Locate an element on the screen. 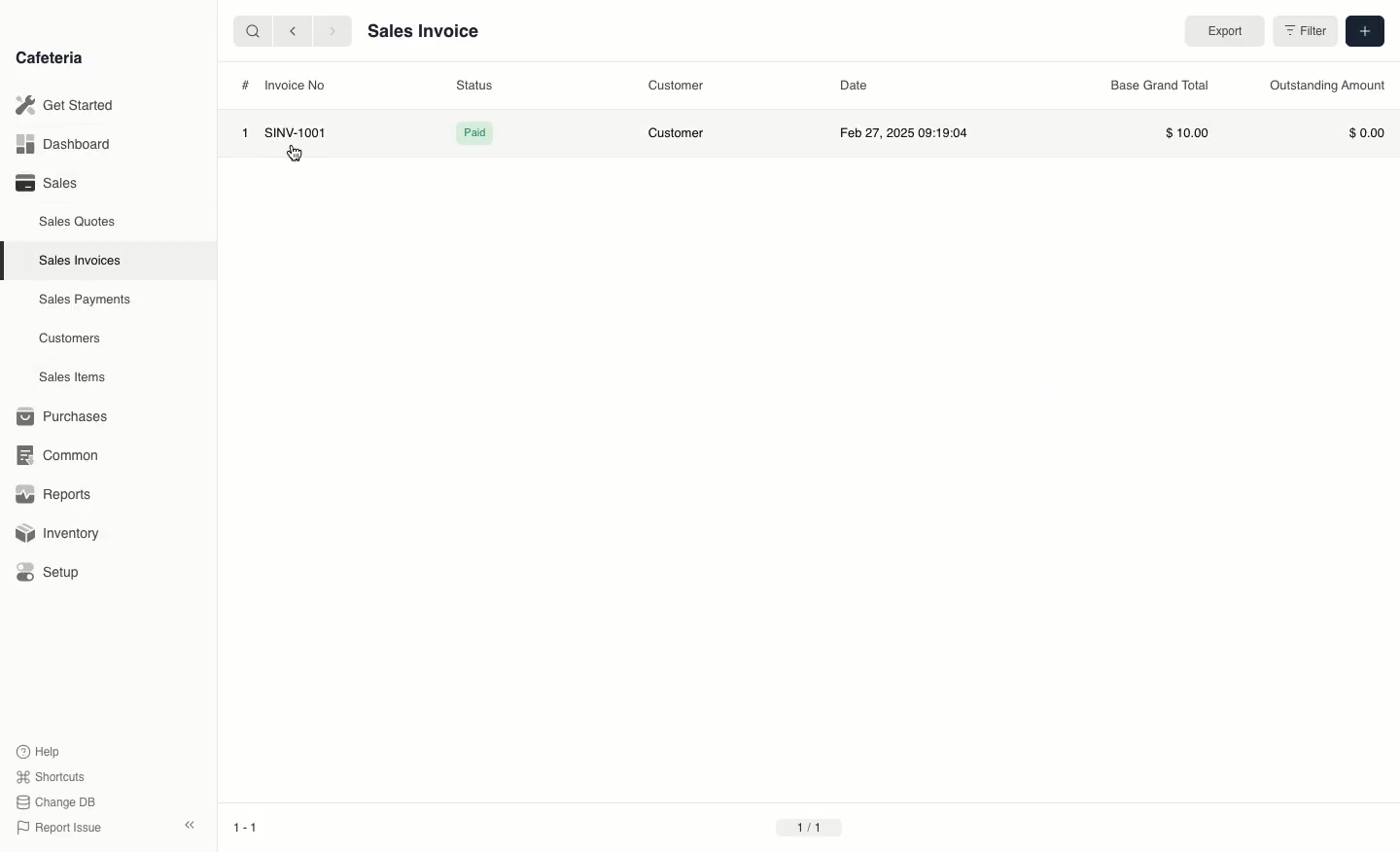 The width and height of the screenshot is (1400, 852). Sales Items is located at coordinates (72, 377).